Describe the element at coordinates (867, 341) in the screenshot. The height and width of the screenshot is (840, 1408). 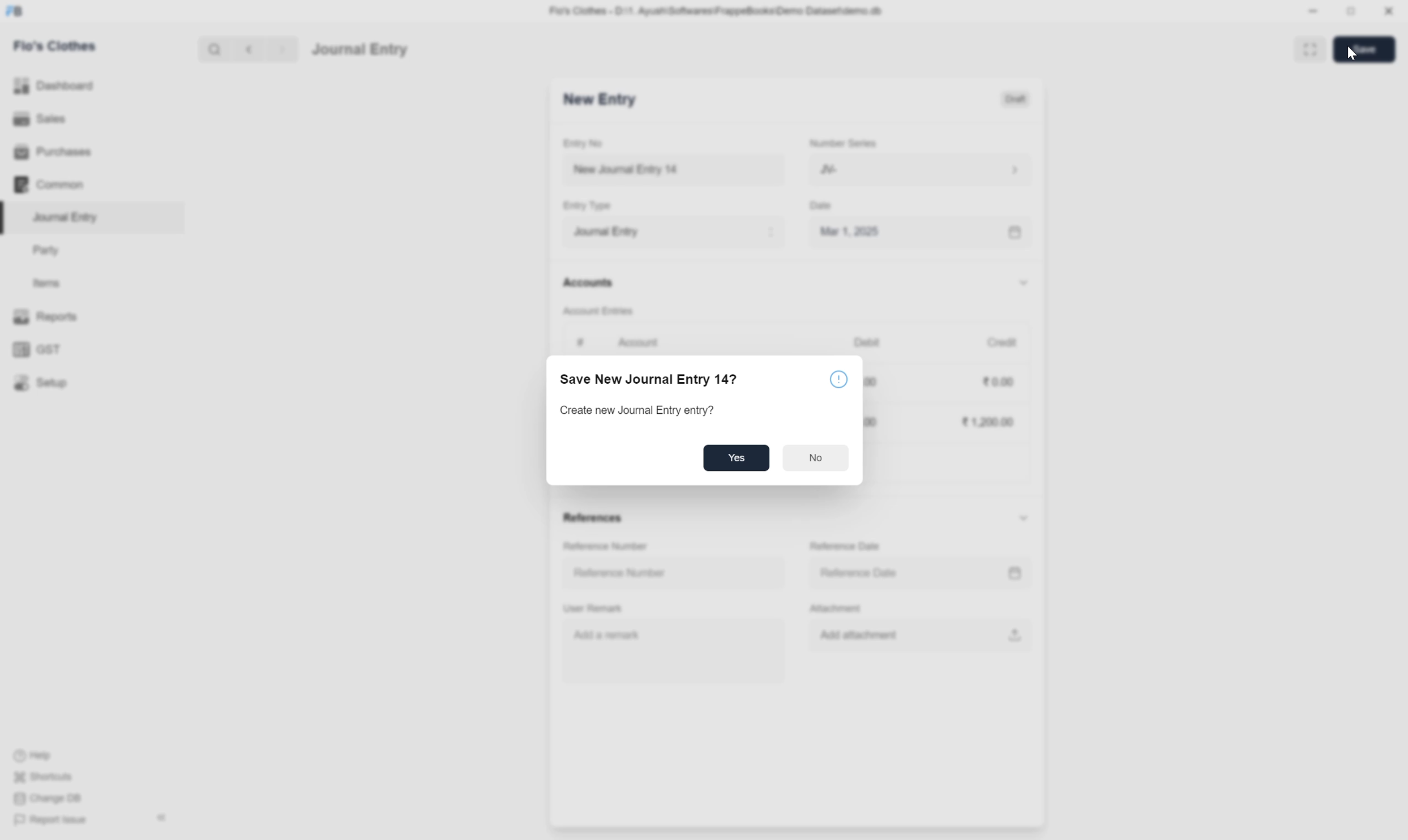
I see `Debit` at that location.